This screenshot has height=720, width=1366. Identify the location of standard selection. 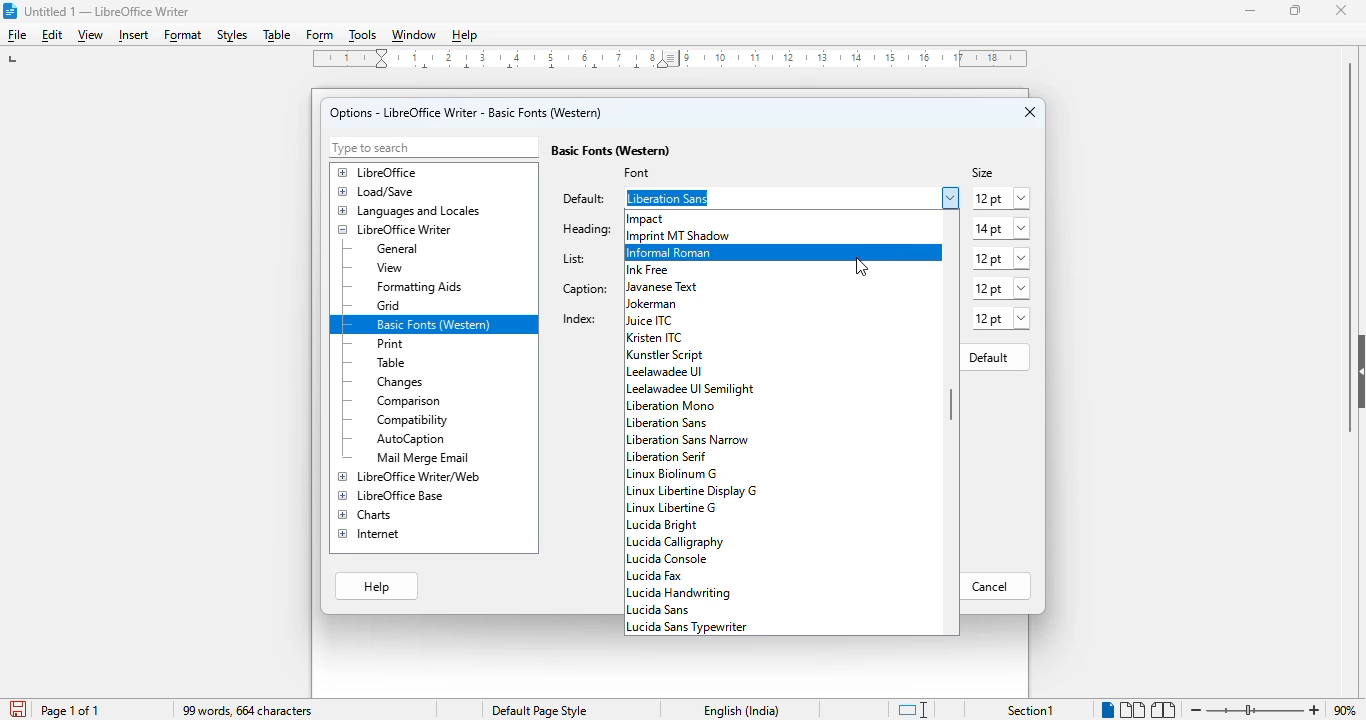
(912, 710).